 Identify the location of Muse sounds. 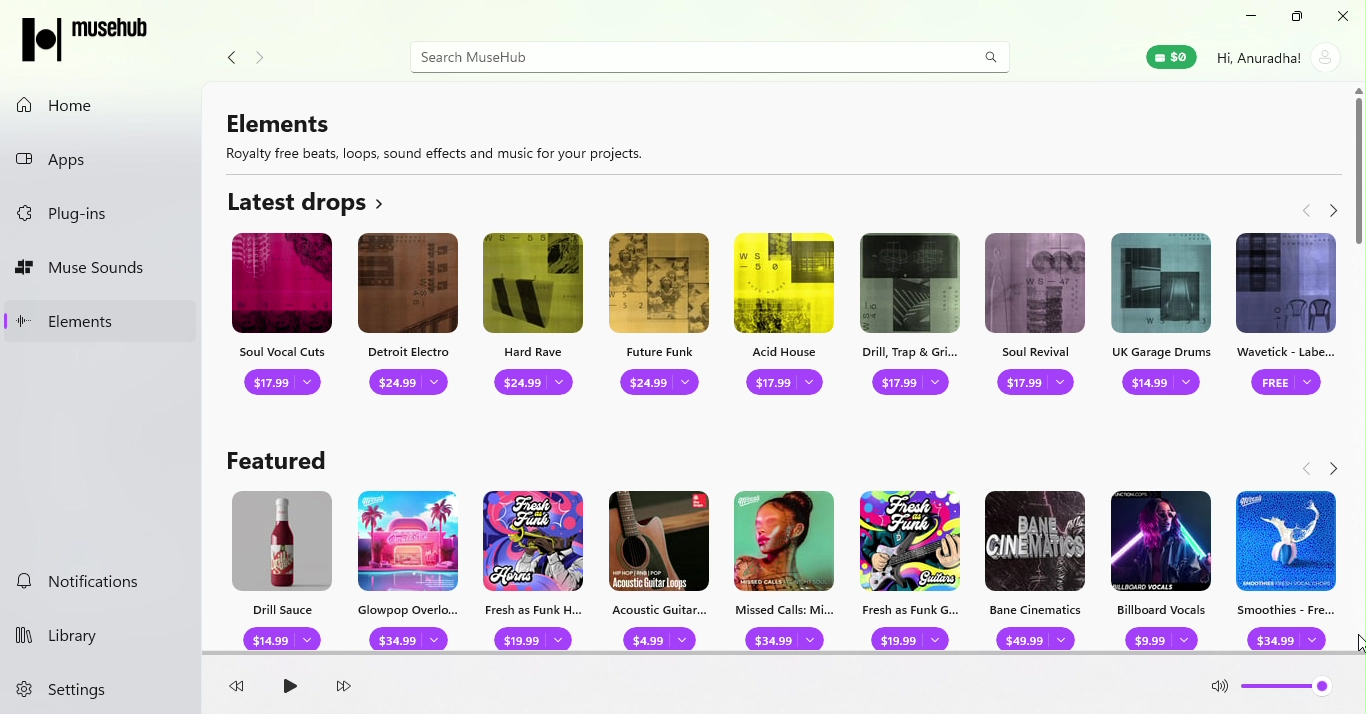
(102, 269).